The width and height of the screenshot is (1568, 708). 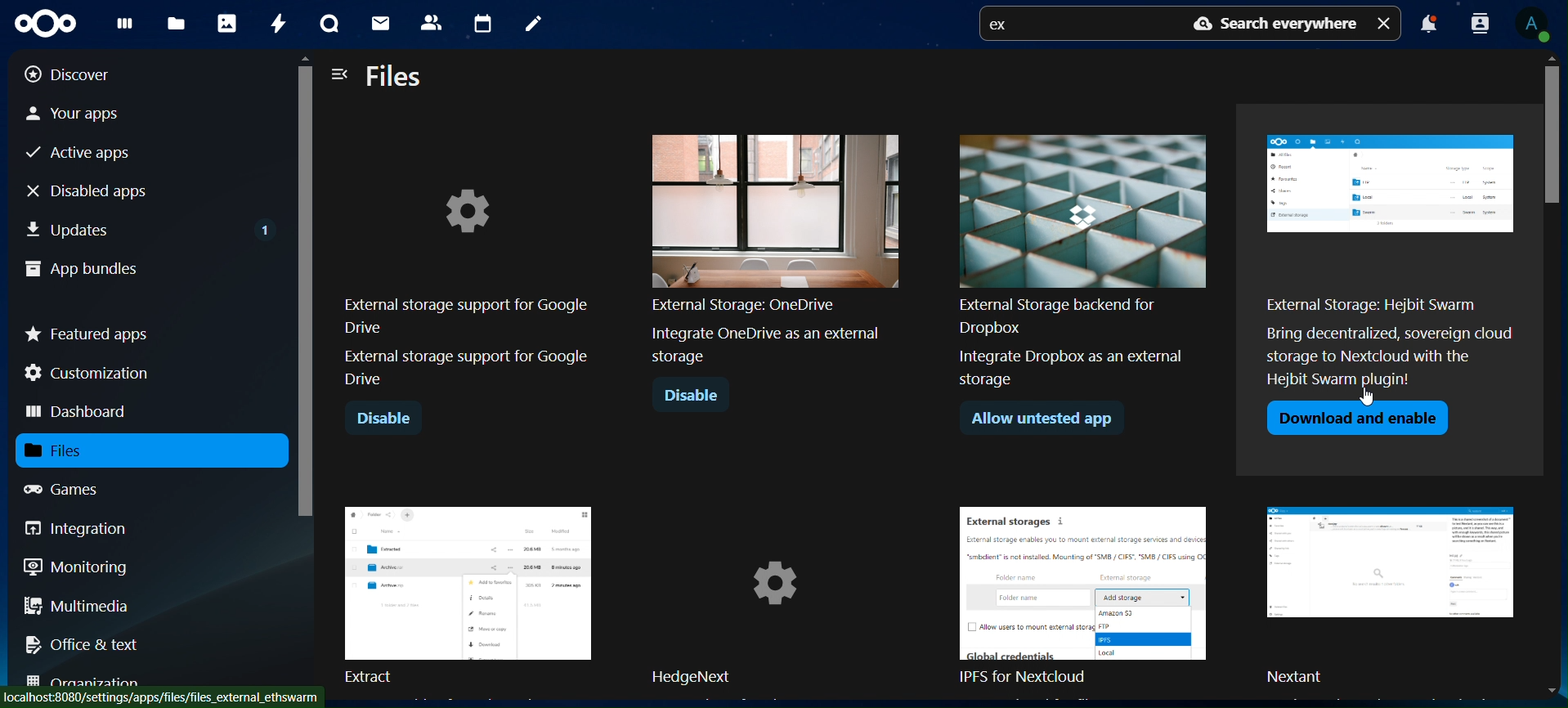 What do you see at coordinates (778, 598) in the screenshot?
I see `hedgenext` at bounding box center [778, 598].